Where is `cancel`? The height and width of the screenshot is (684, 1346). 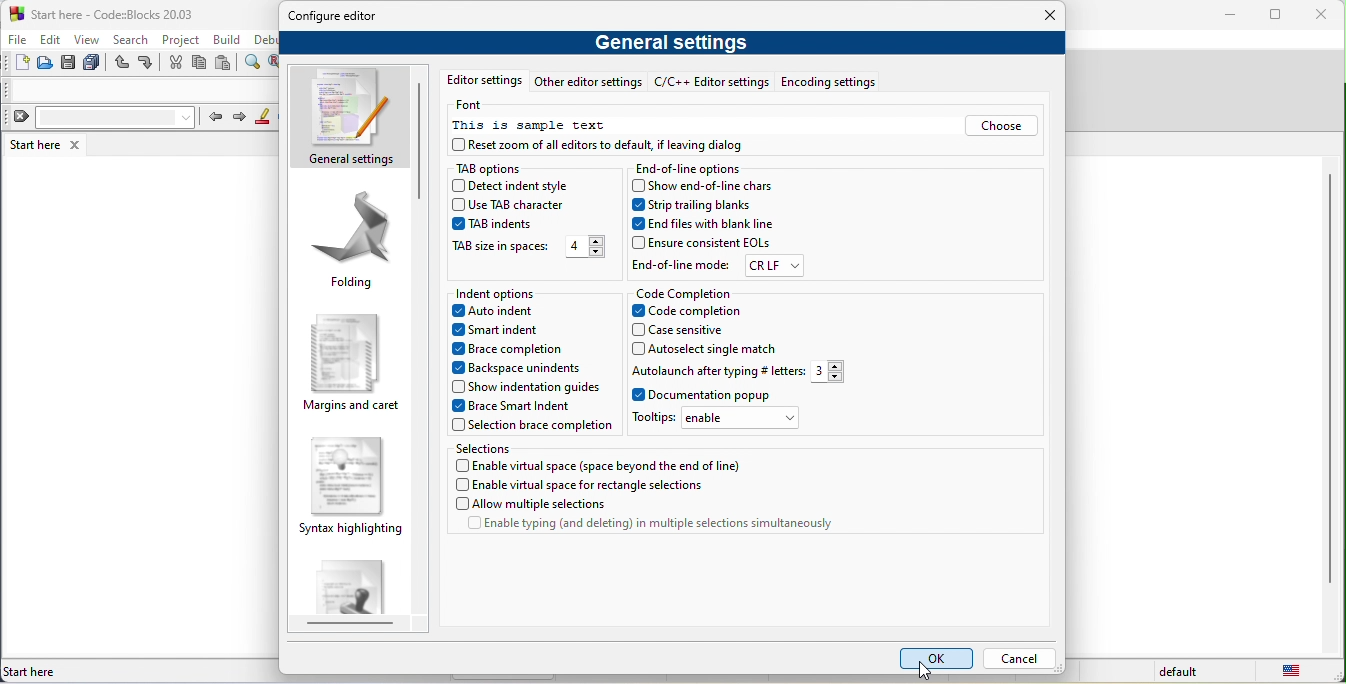 cancel is located at coordinates (1022, 656).